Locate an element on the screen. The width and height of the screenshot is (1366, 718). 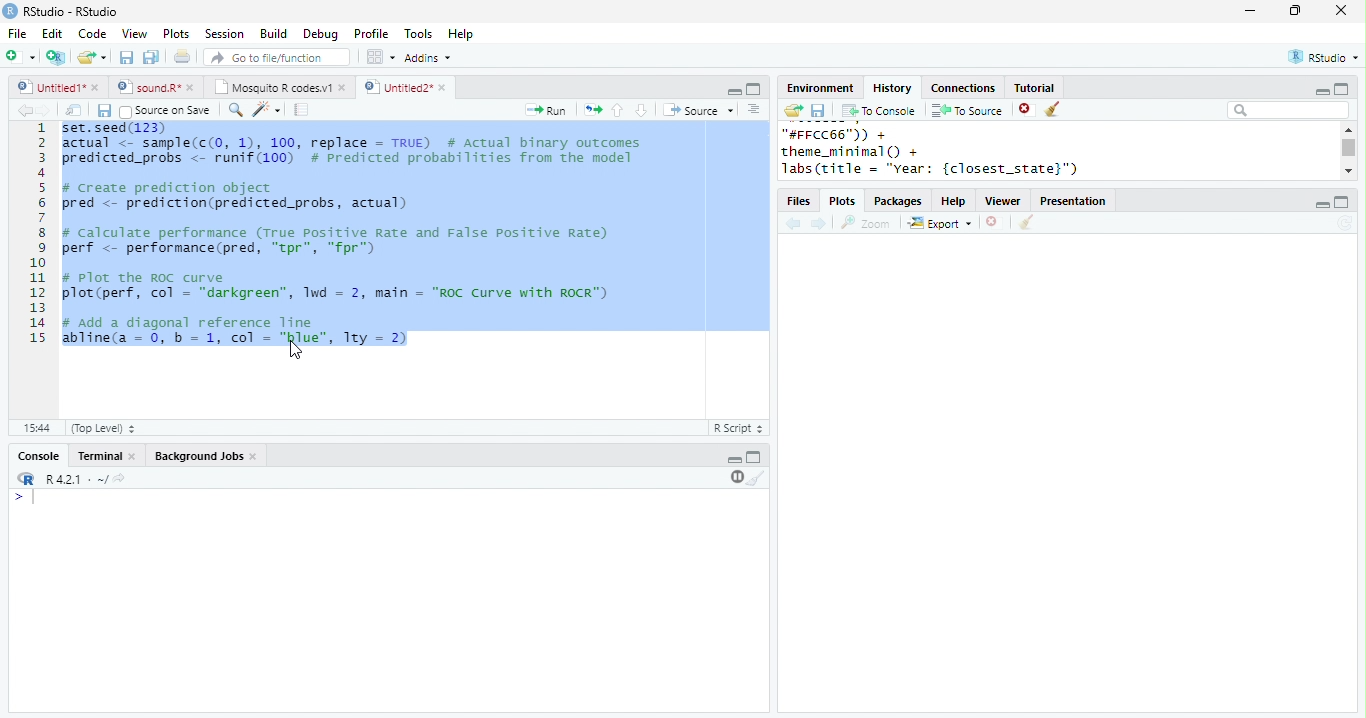
Export is located at coordinates (941, 224).